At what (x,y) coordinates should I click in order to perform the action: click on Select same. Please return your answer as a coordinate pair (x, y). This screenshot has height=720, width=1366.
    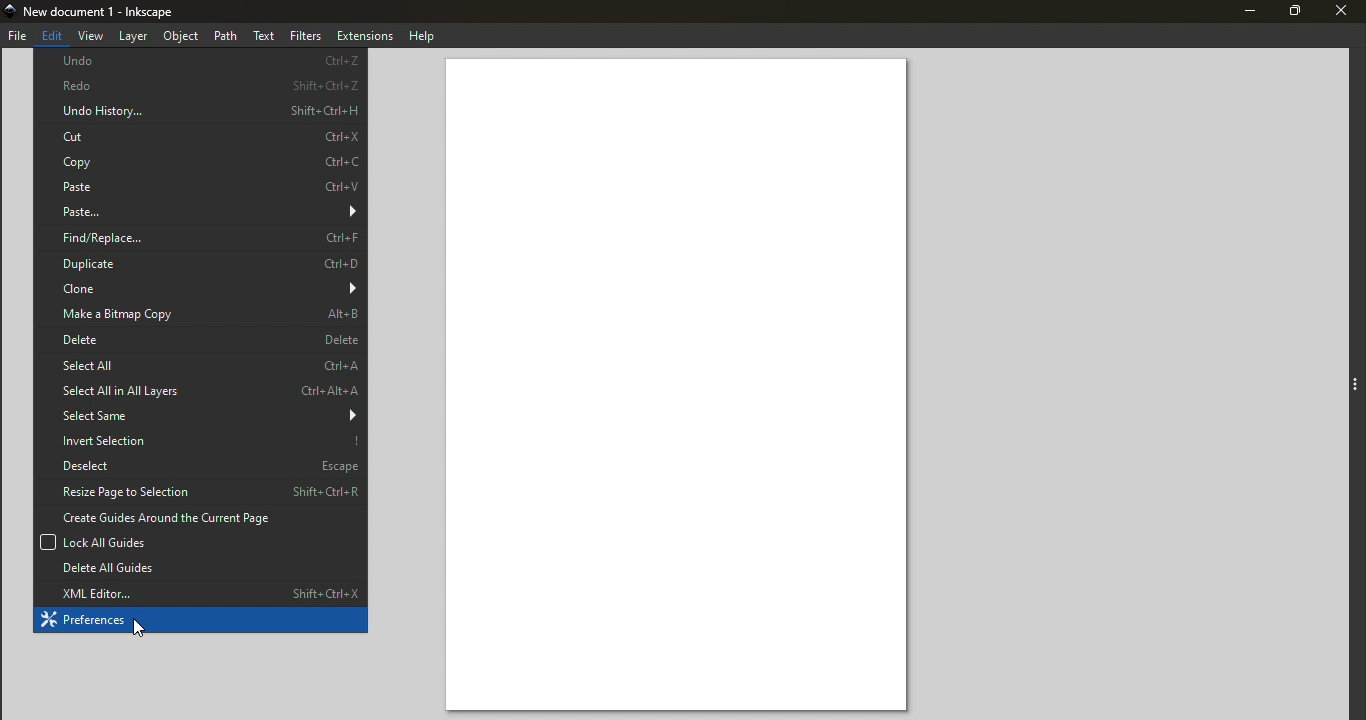
    Looking at the image, I should click on (201, 417).